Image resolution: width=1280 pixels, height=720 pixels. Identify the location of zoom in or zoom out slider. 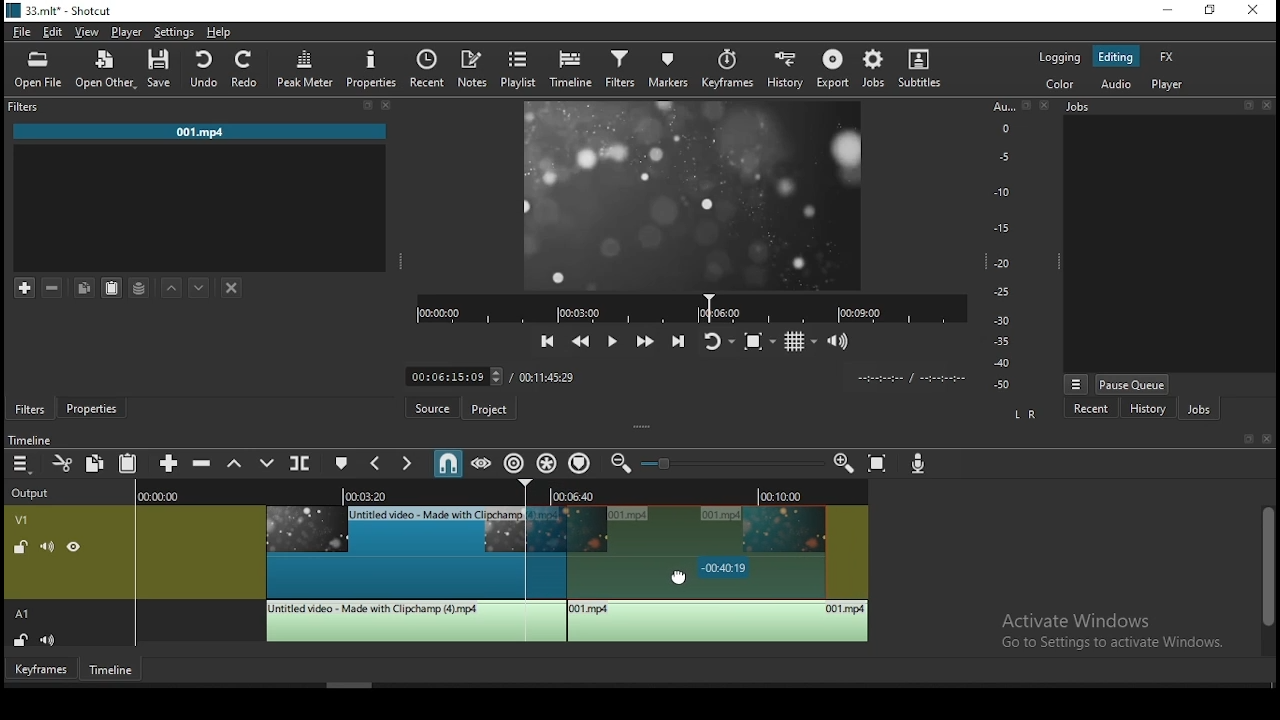
(734, 463).